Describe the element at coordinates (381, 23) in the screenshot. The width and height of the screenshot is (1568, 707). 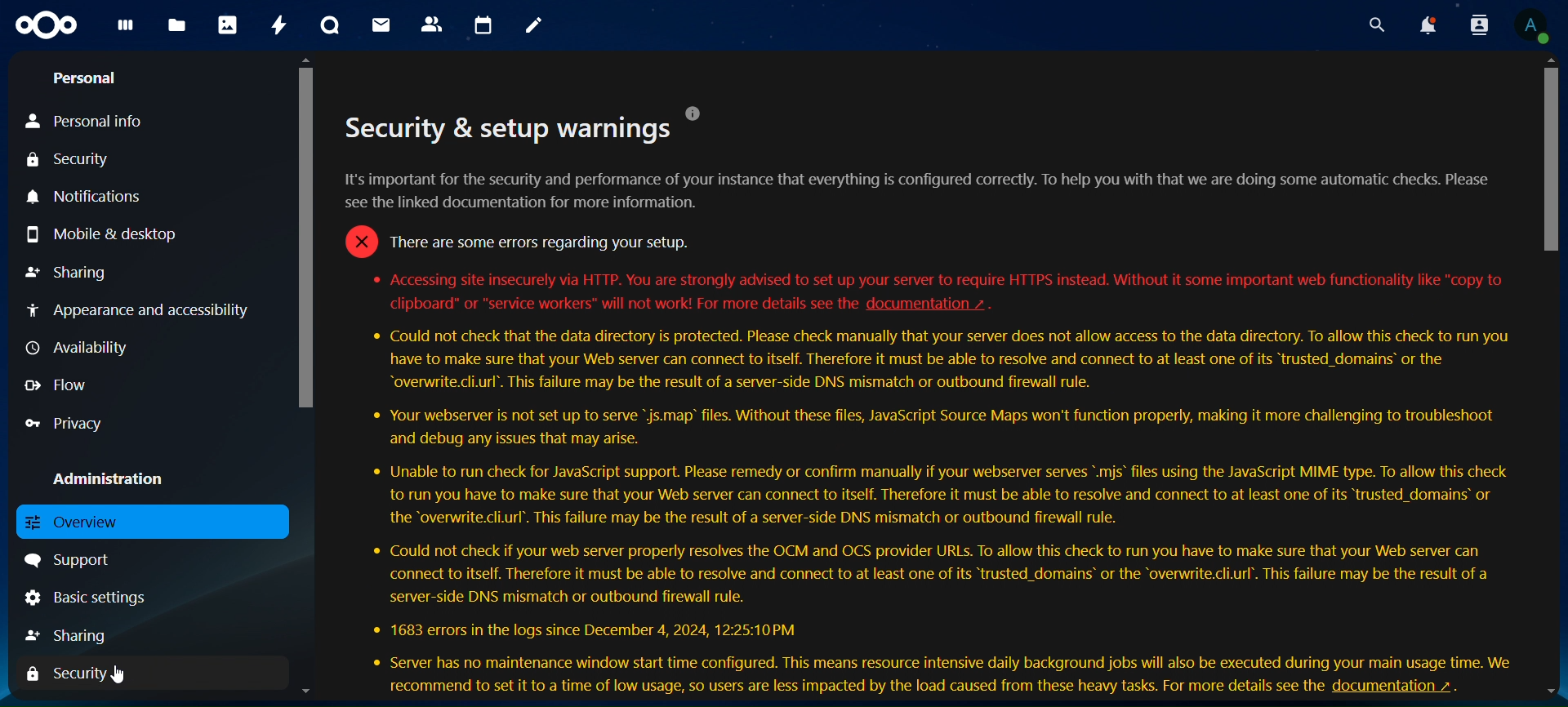
I see `mail` at that location.